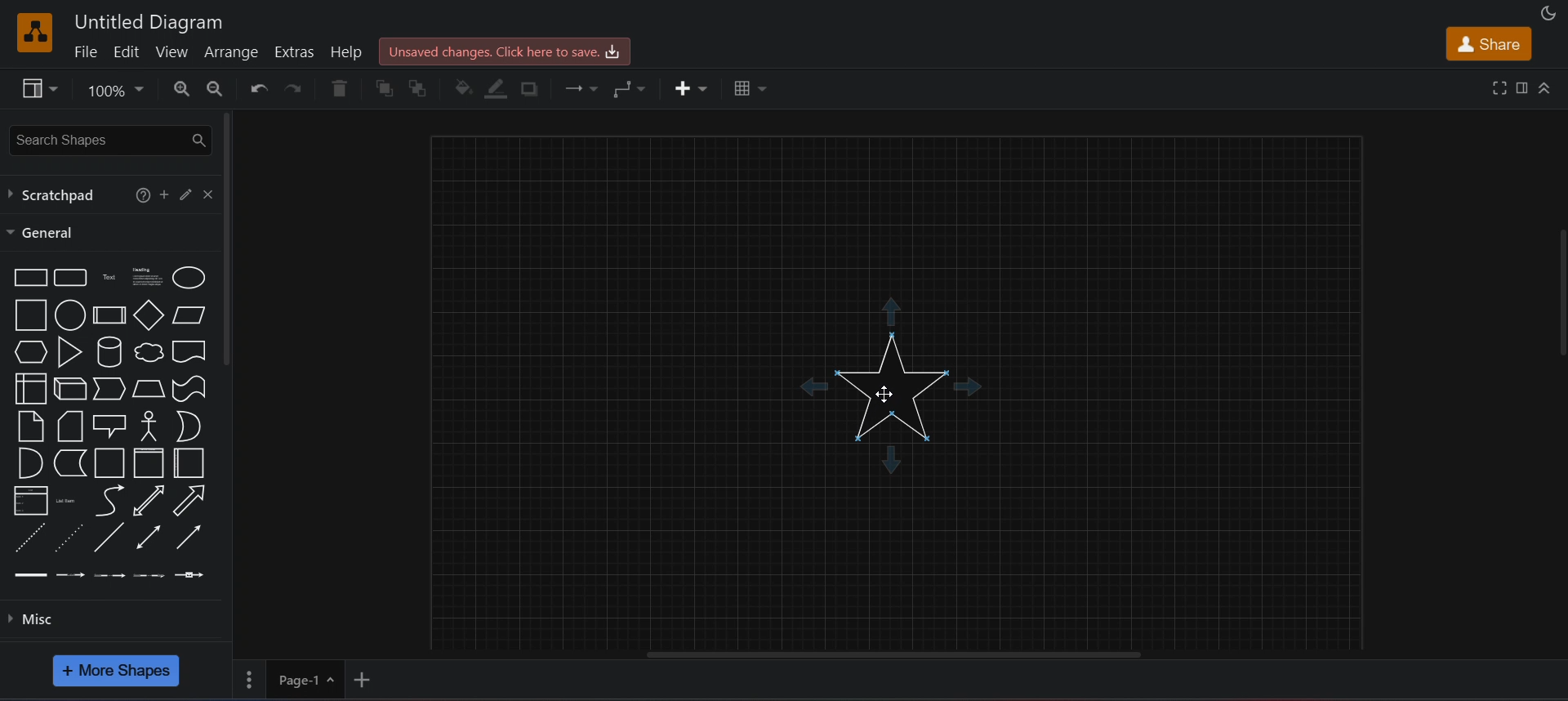  Describe the element at coordinates (69, 278) in the screenshot. I see `rounded rectangle` at that location.